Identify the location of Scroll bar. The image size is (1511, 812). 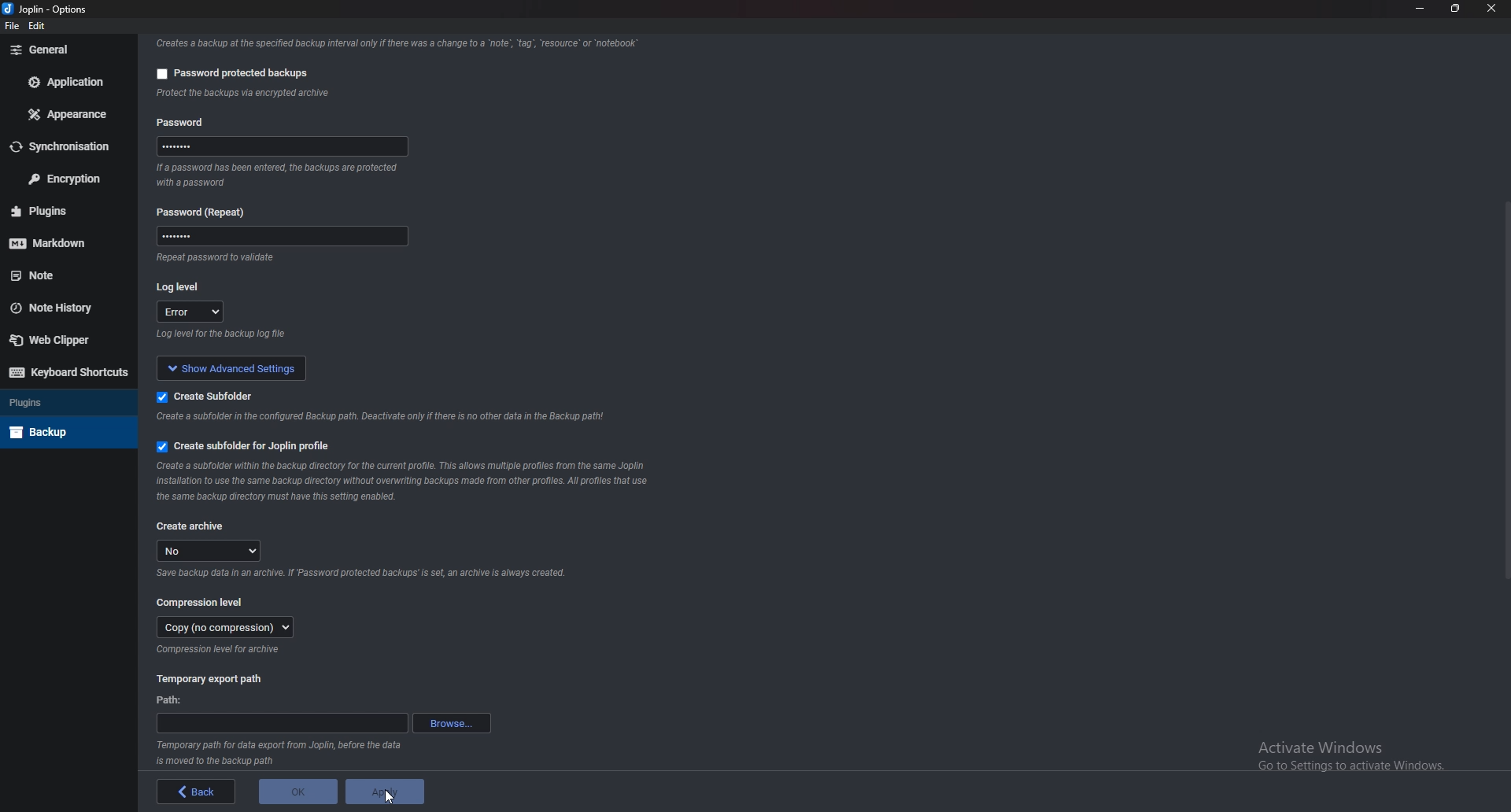
(1504, 389).